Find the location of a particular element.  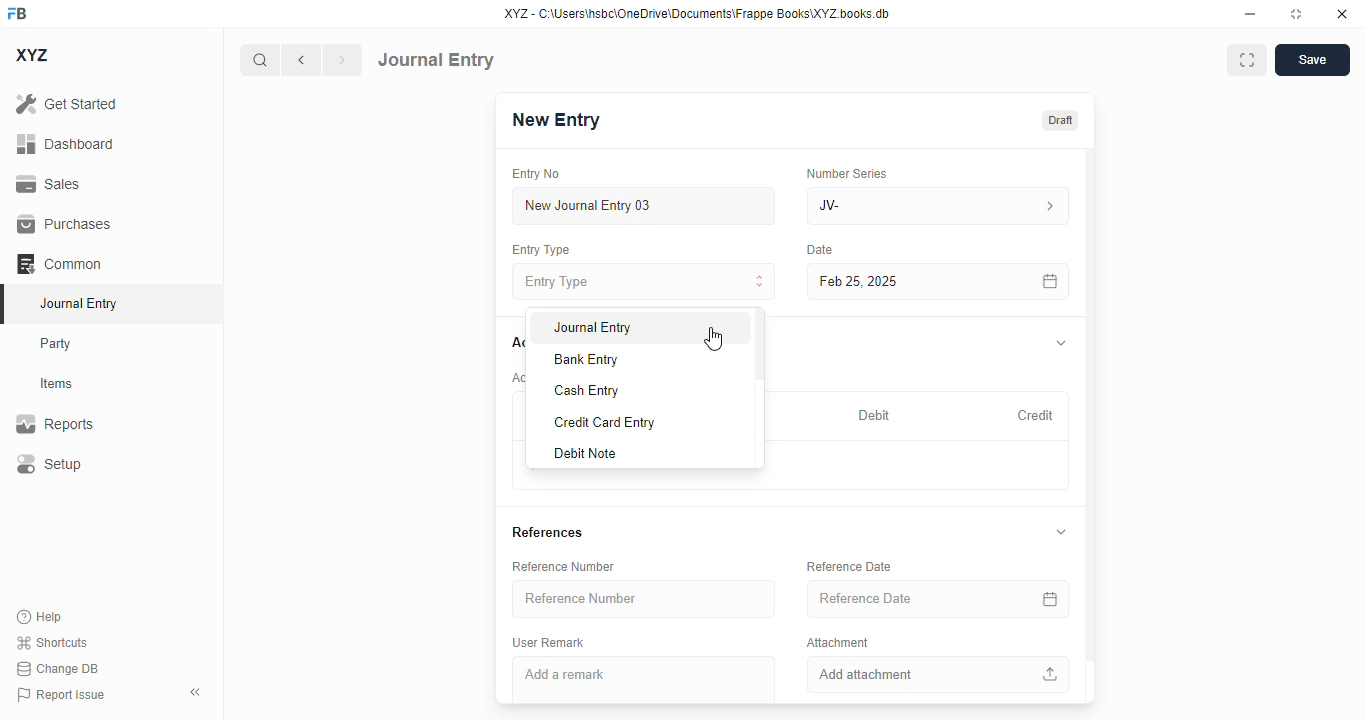

items is located at coordinates (57, 384).